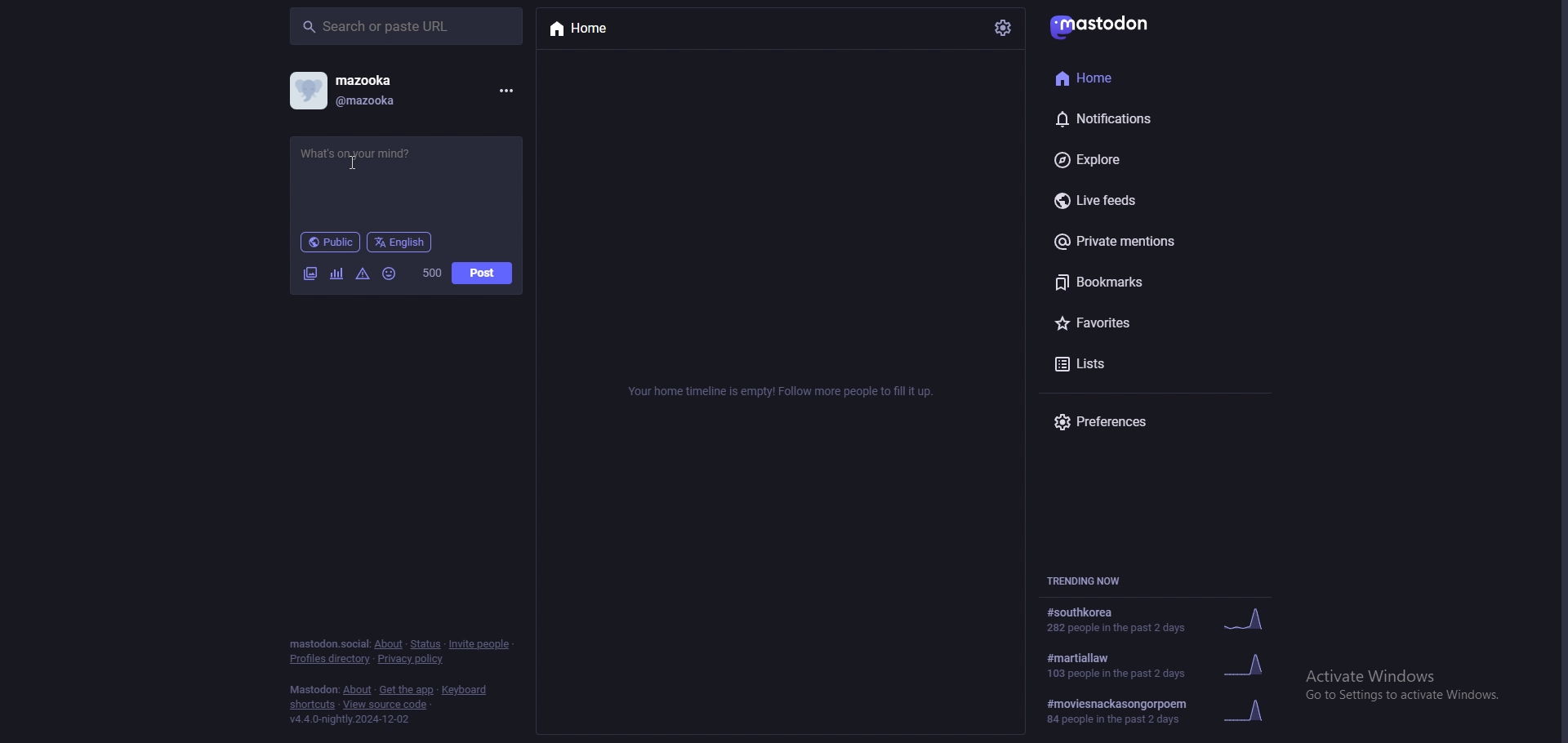  I want to click on live feeds, so click(1145, 200).